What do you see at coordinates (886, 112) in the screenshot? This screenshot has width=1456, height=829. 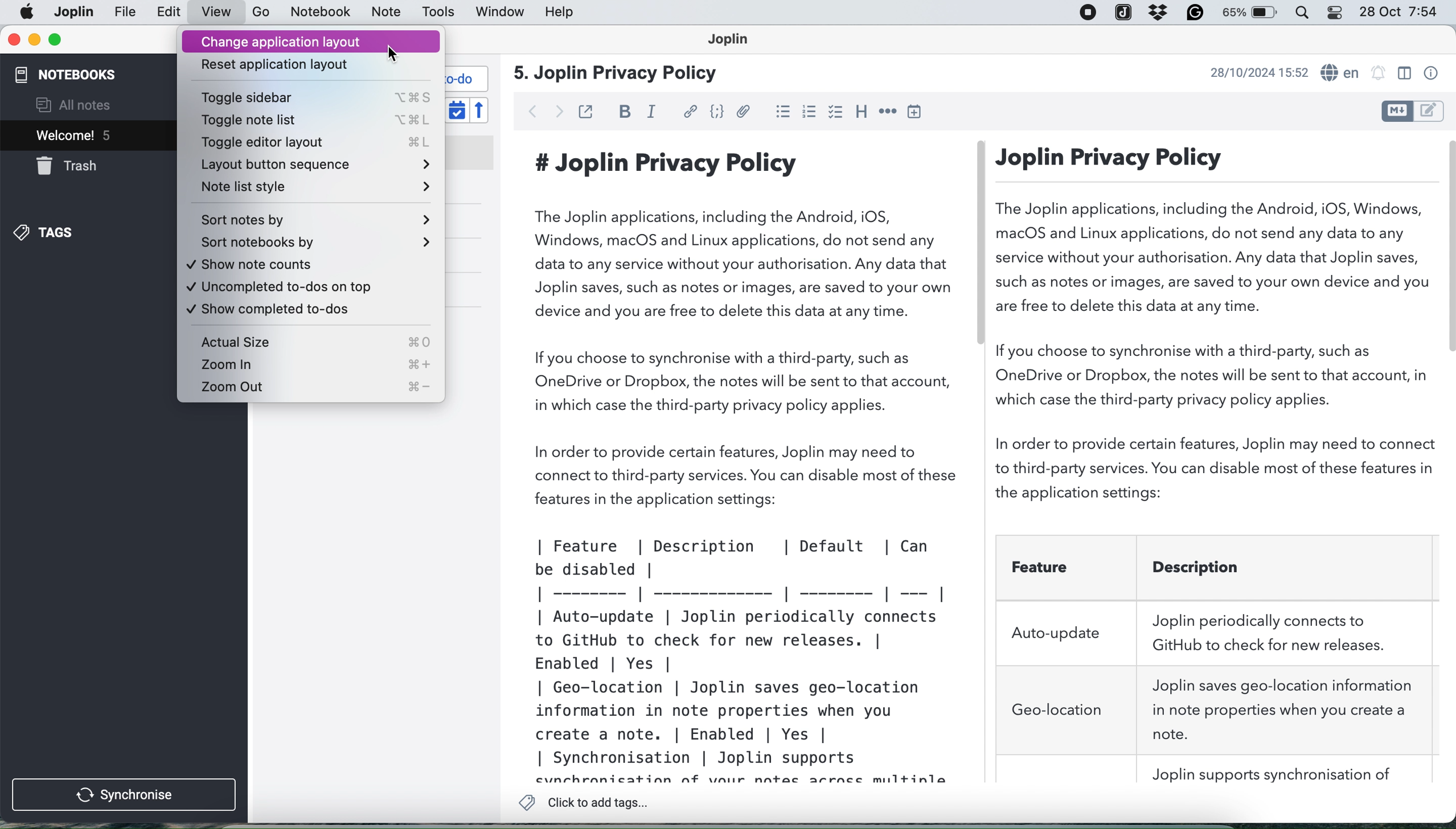 I see `horizontal rule` at bounding box center [886, 112].